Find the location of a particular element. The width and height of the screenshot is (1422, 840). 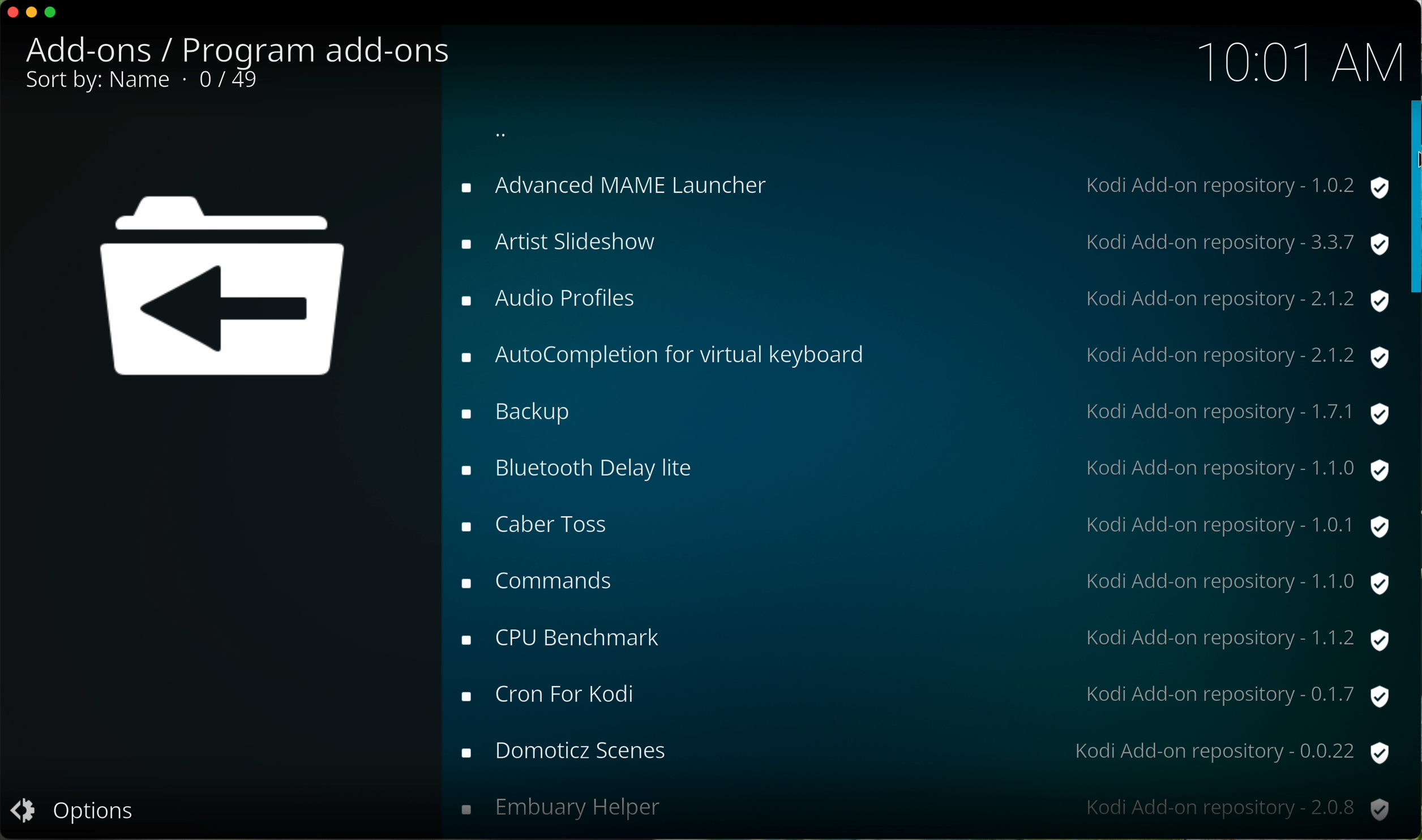

cron for kodi is located at coordinates (922, 696).